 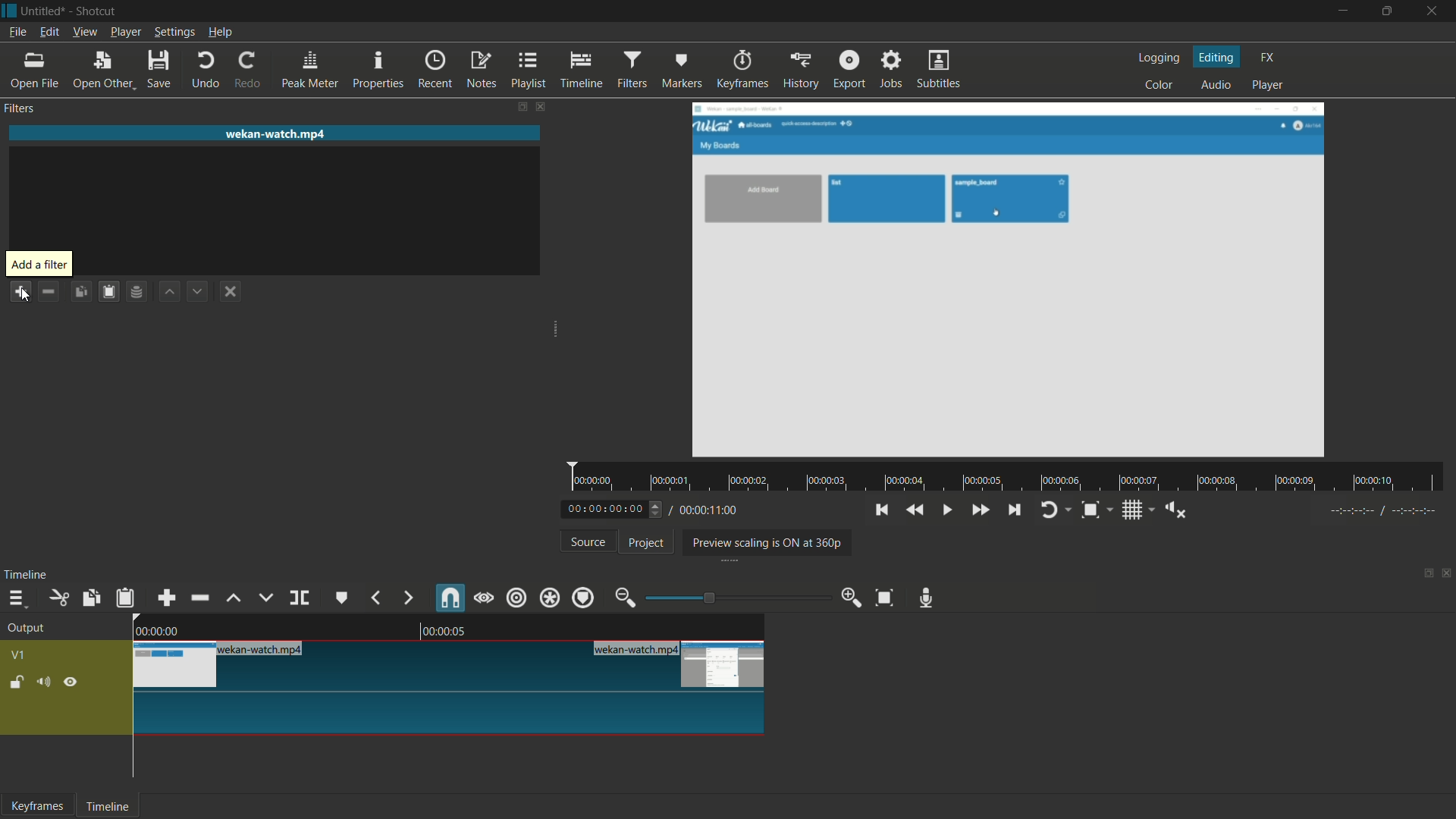 I want to click on quickly play forward, so click(x=980, y=510).